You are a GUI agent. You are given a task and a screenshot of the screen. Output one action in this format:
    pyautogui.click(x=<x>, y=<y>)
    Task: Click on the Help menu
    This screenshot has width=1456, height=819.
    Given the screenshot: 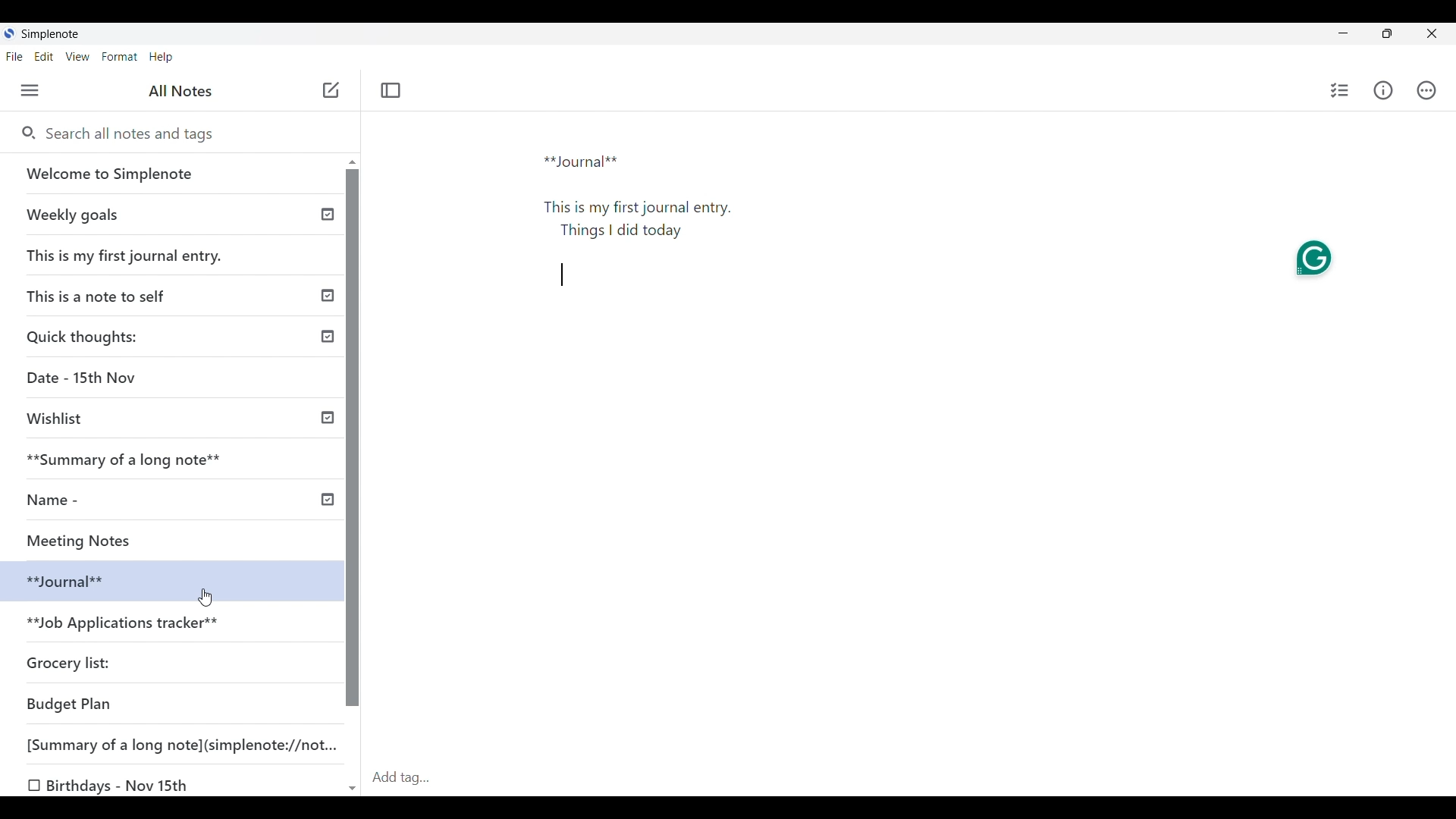 What is the action you would take?
    pyautogui.click(x=162, y=58)
    